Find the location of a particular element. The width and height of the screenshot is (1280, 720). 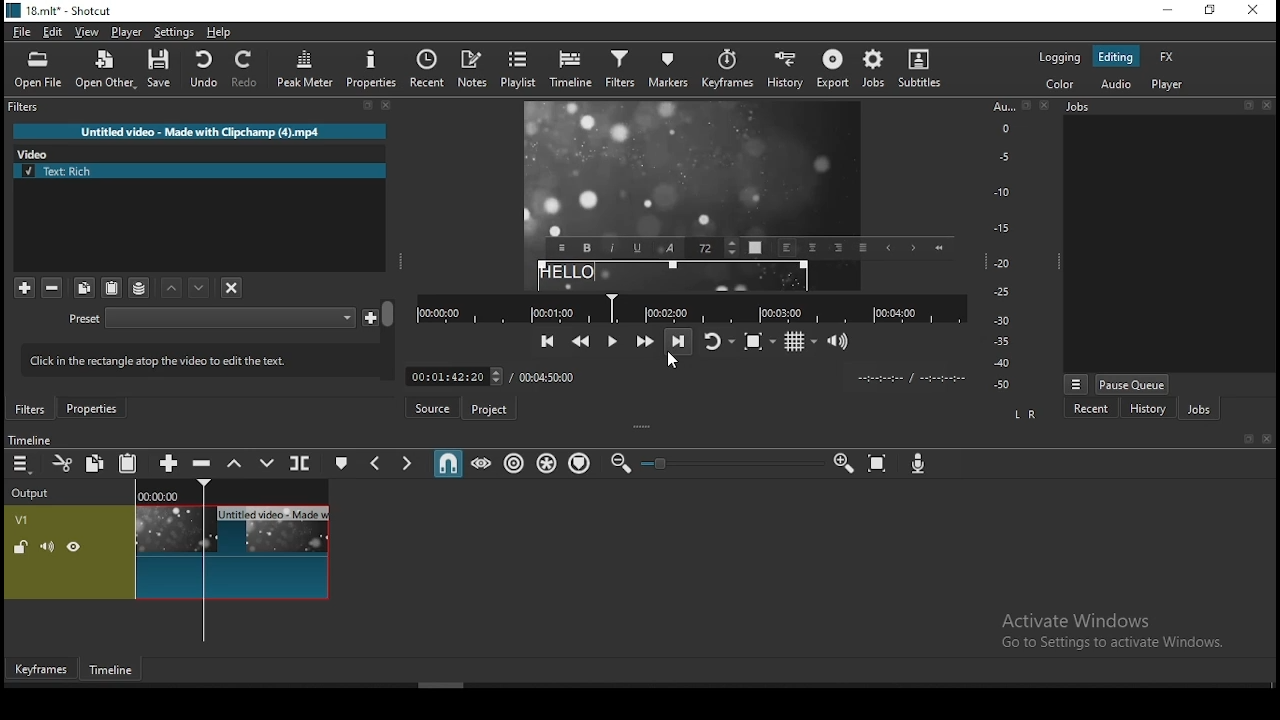

move filter up is located at coordinates (201, 287).